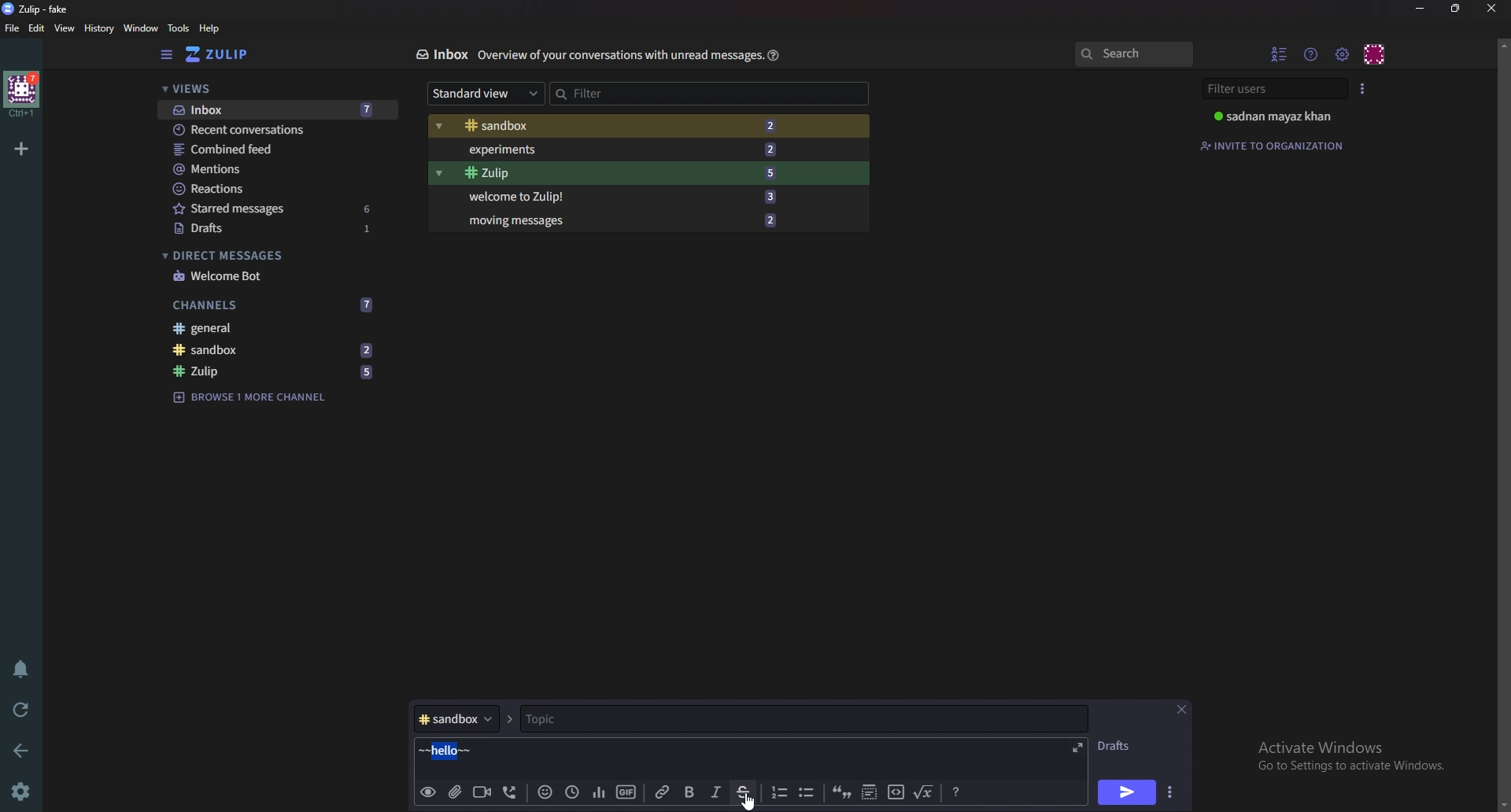 This screenshot has height=812, width=1511. Describe the element at coordinates (252, 401) in the screenshot. I see `Browse channel` at that location.